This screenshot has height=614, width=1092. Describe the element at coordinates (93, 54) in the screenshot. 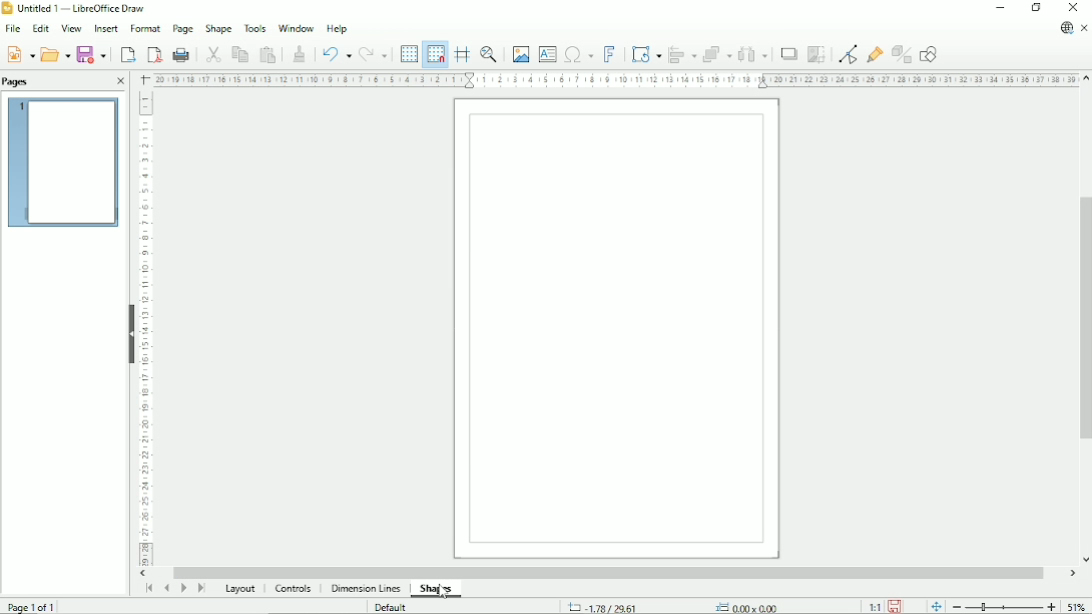

I see `Save` at that location.